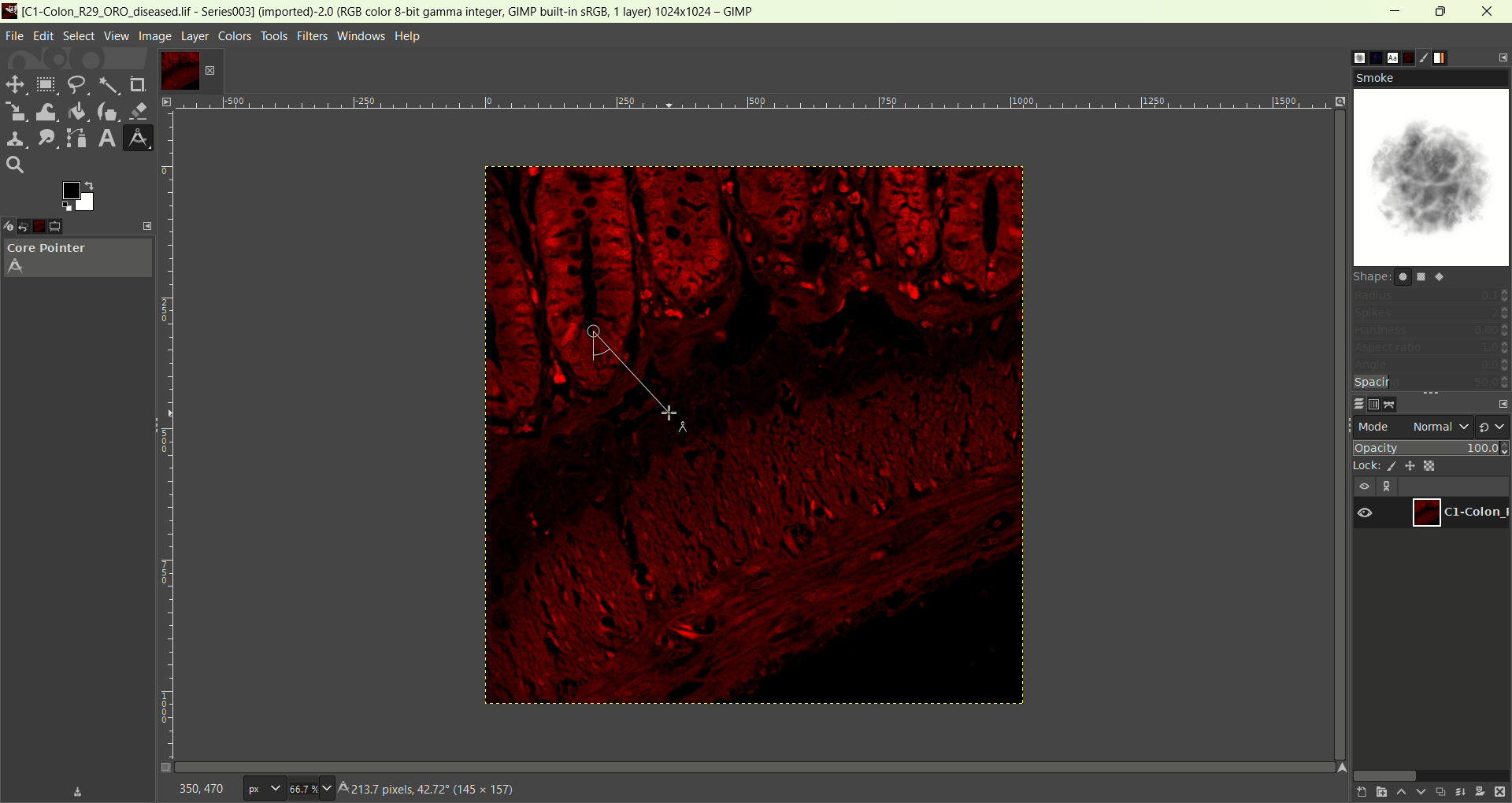  Describe the element at coordinates (1458, 513) in the screenshot. I see `layer1` at that location.